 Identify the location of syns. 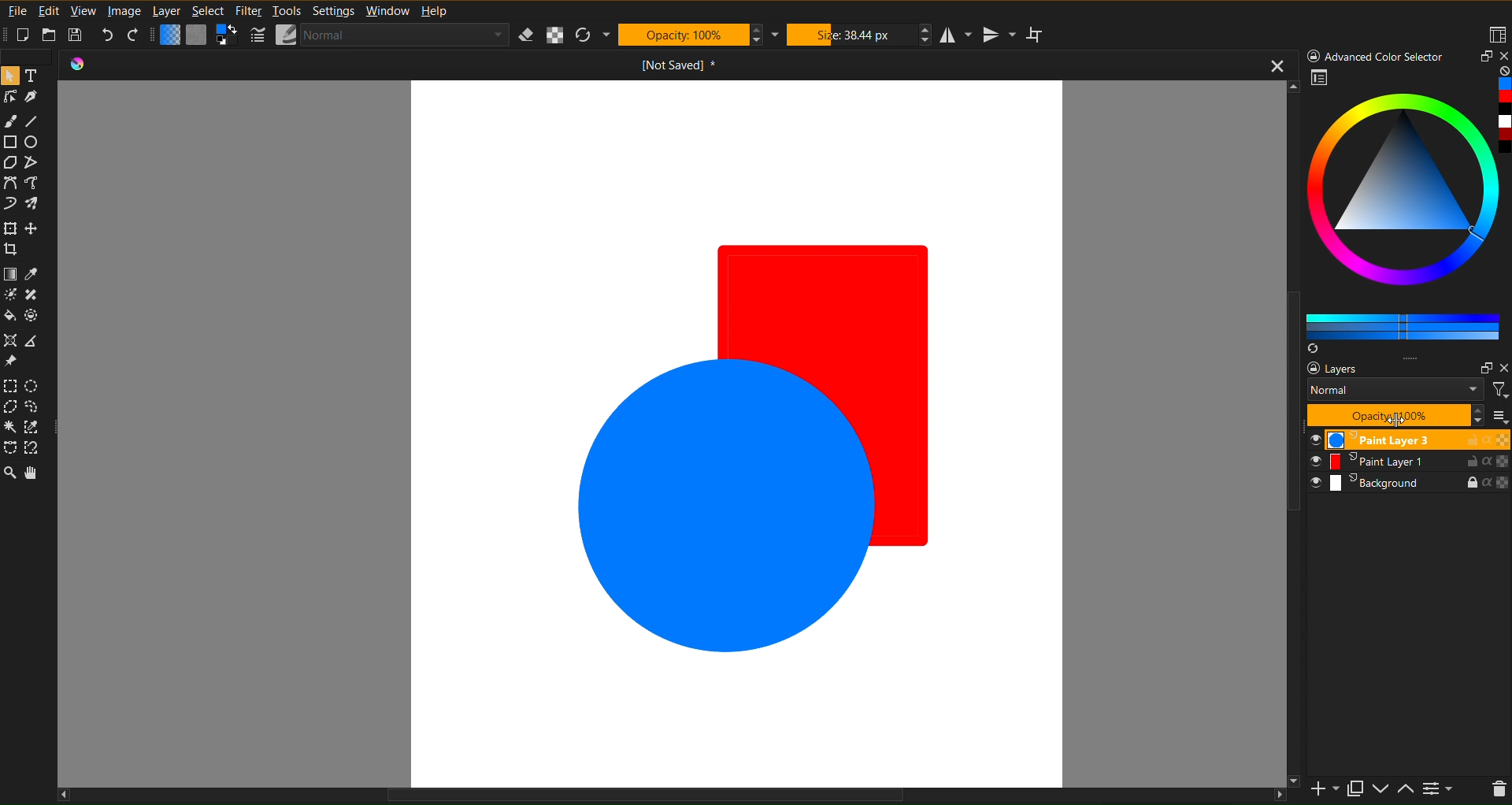
(1315, 350).